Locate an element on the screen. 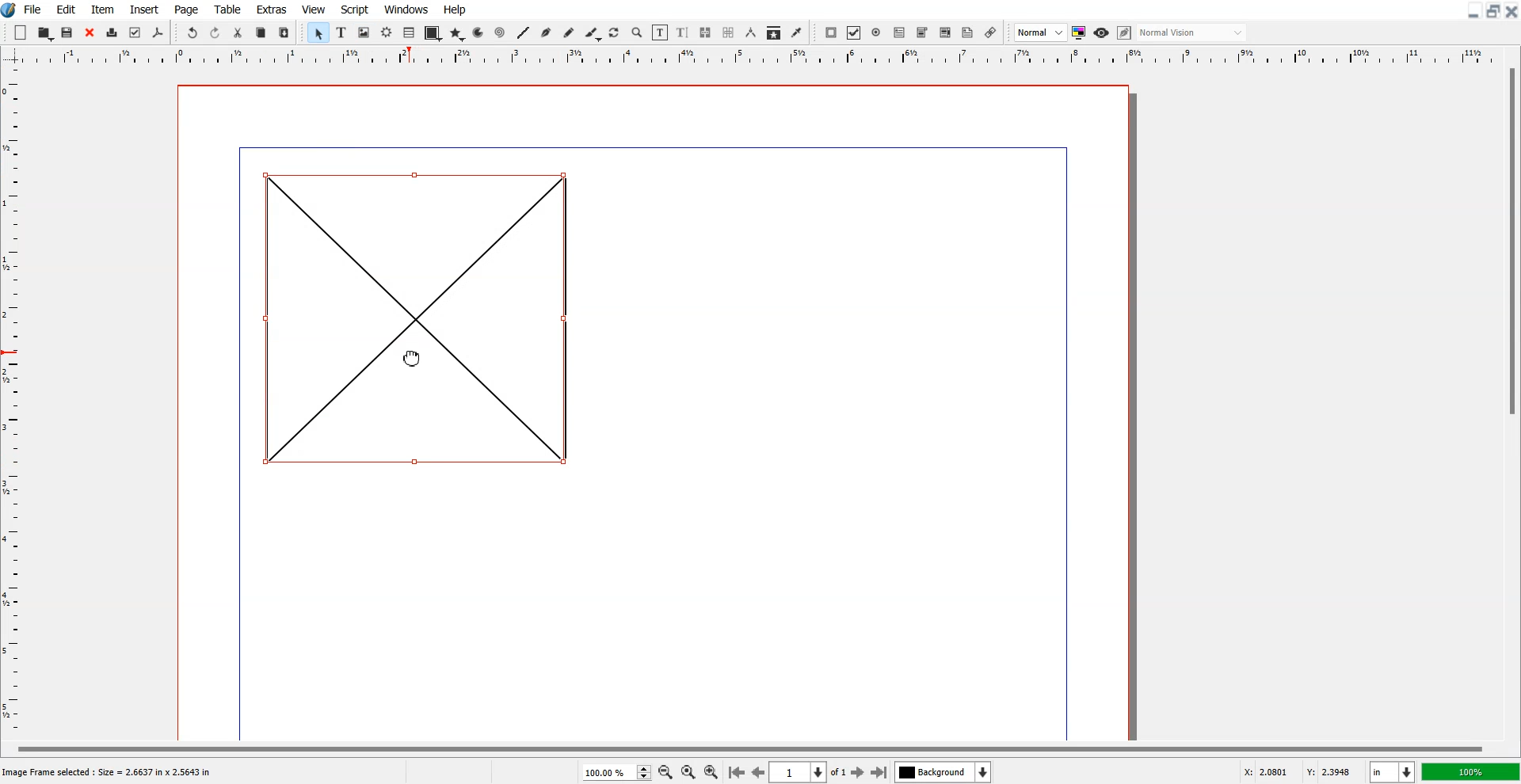  Go to last Page is located at coordinates (879, 772).